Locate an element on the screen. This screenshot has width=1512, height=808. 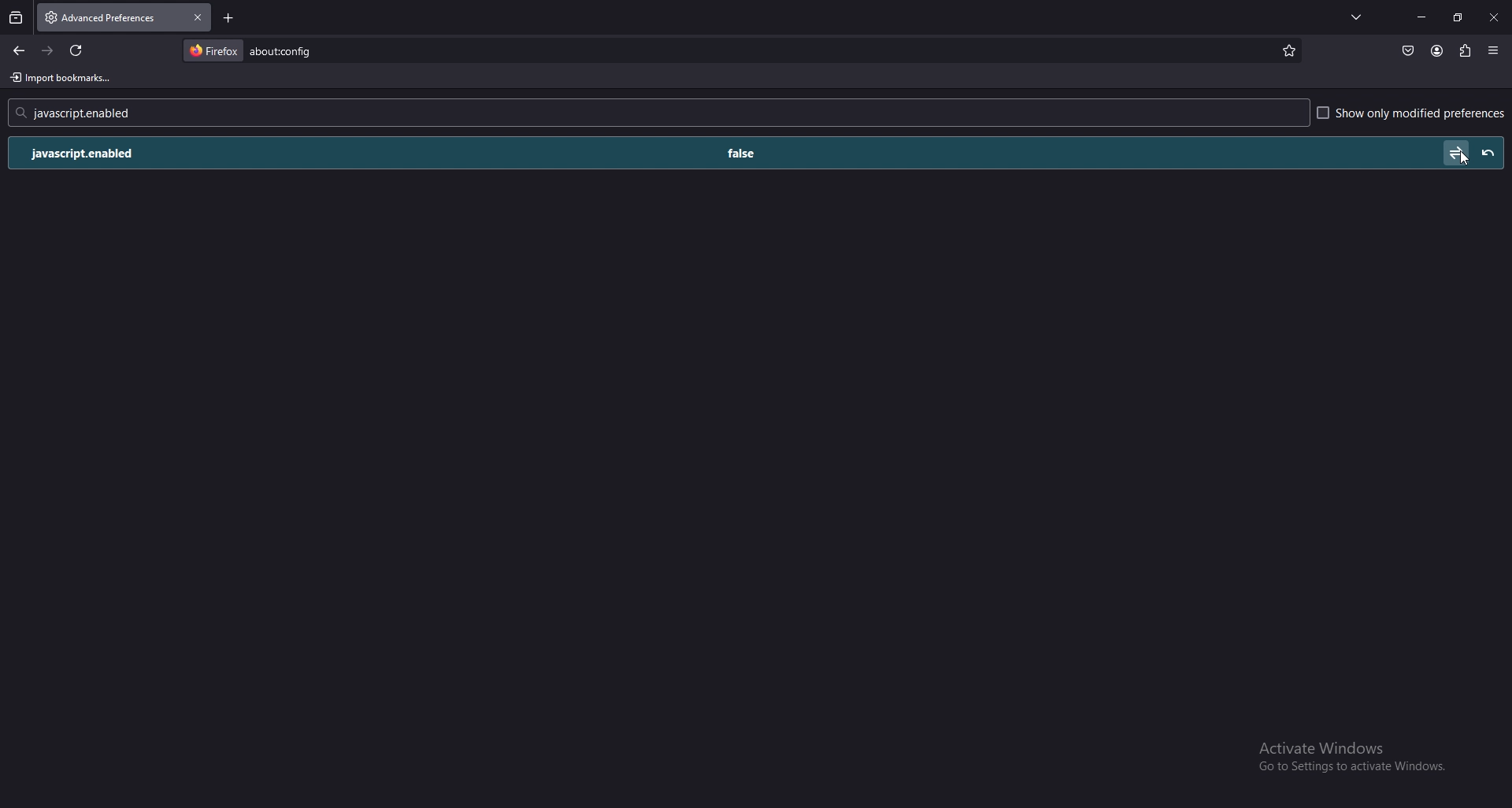
back is located at coordinates (19, 51).